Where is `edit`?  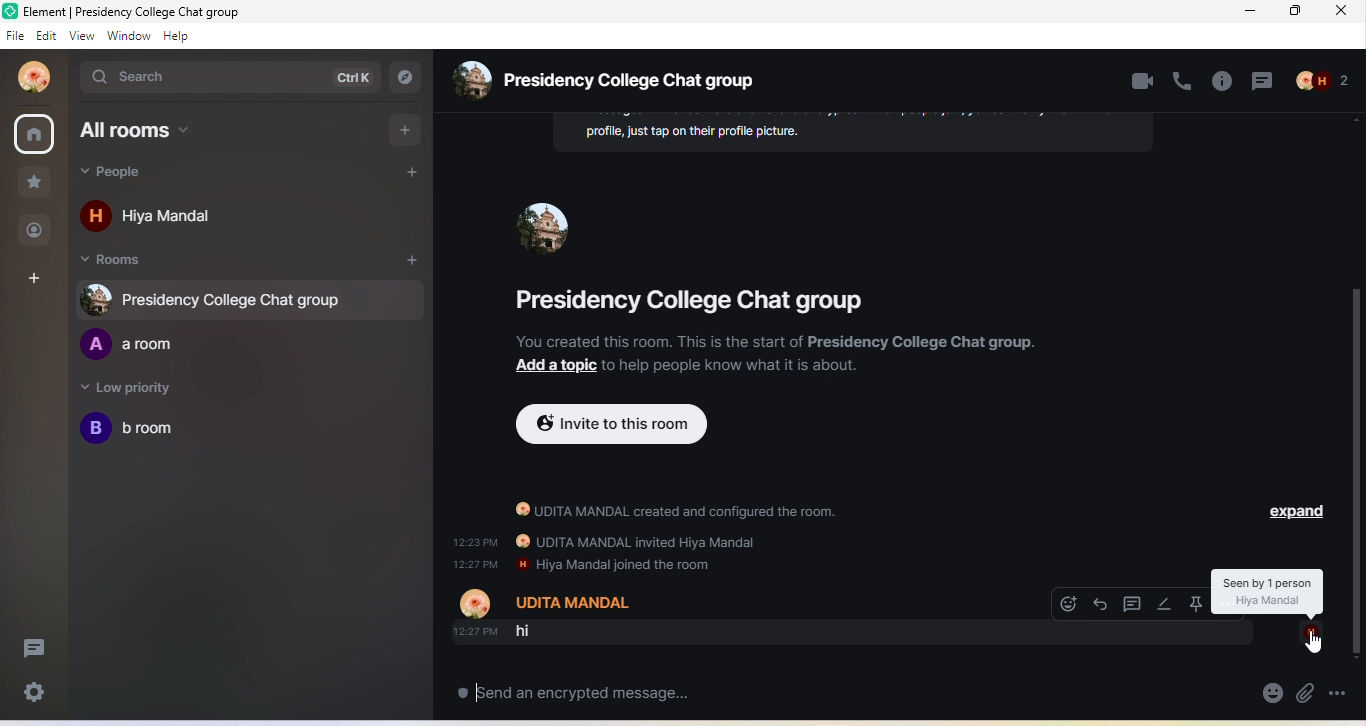 edit is located at coordinates (1165, 604).